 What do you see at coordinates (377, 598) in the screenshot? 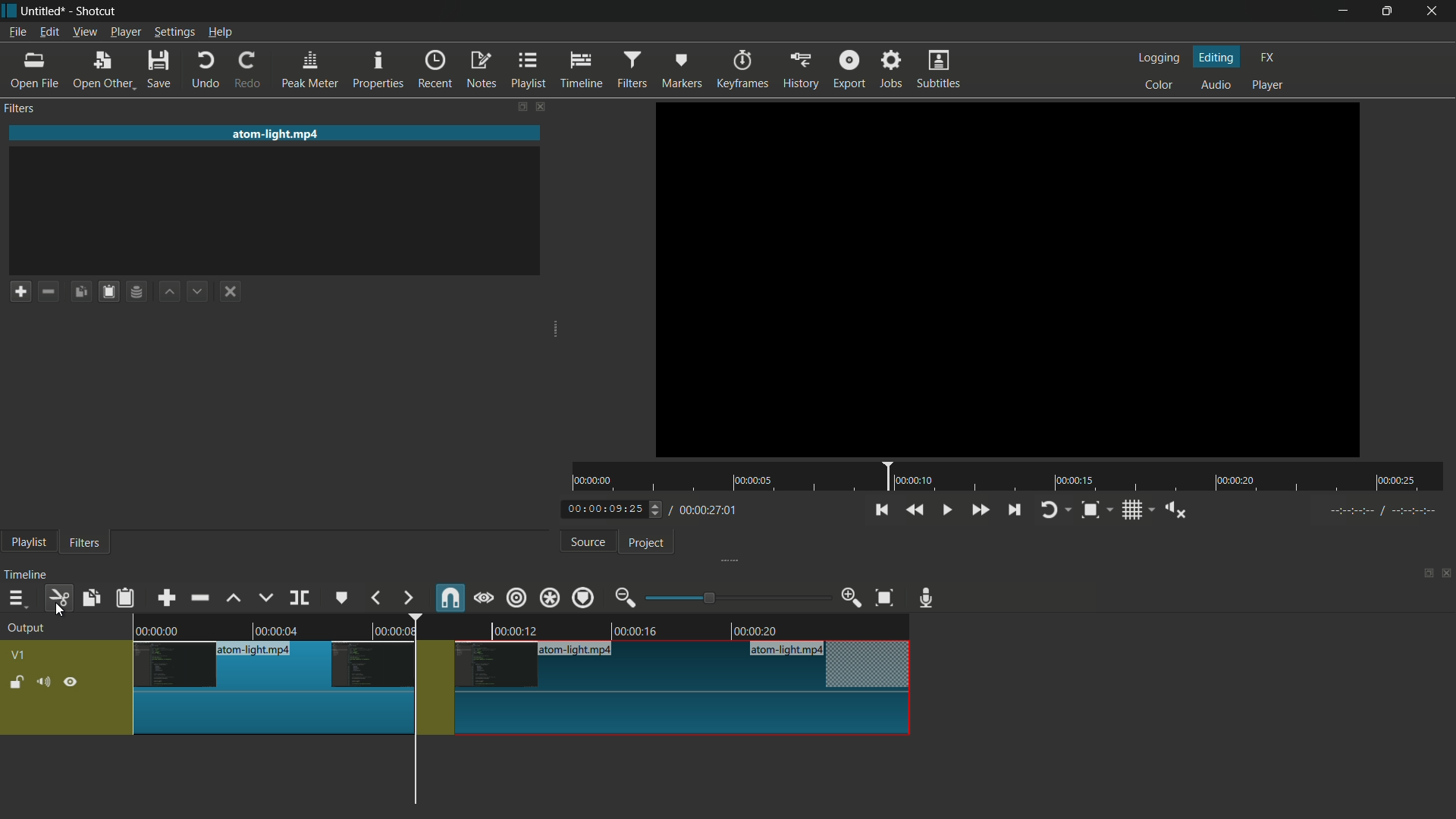
I see `previous marker` at bounding box center [377, 598].